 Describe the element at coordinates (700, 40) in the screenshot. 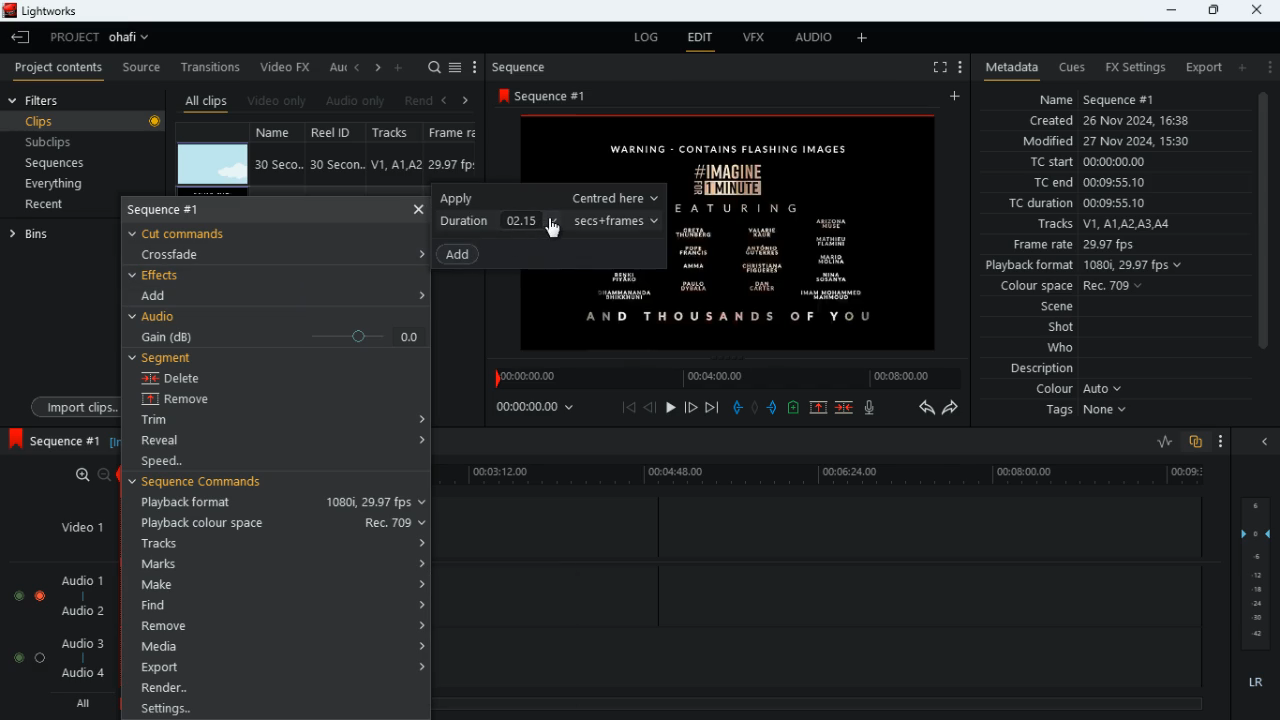

I see `edit` at that location.